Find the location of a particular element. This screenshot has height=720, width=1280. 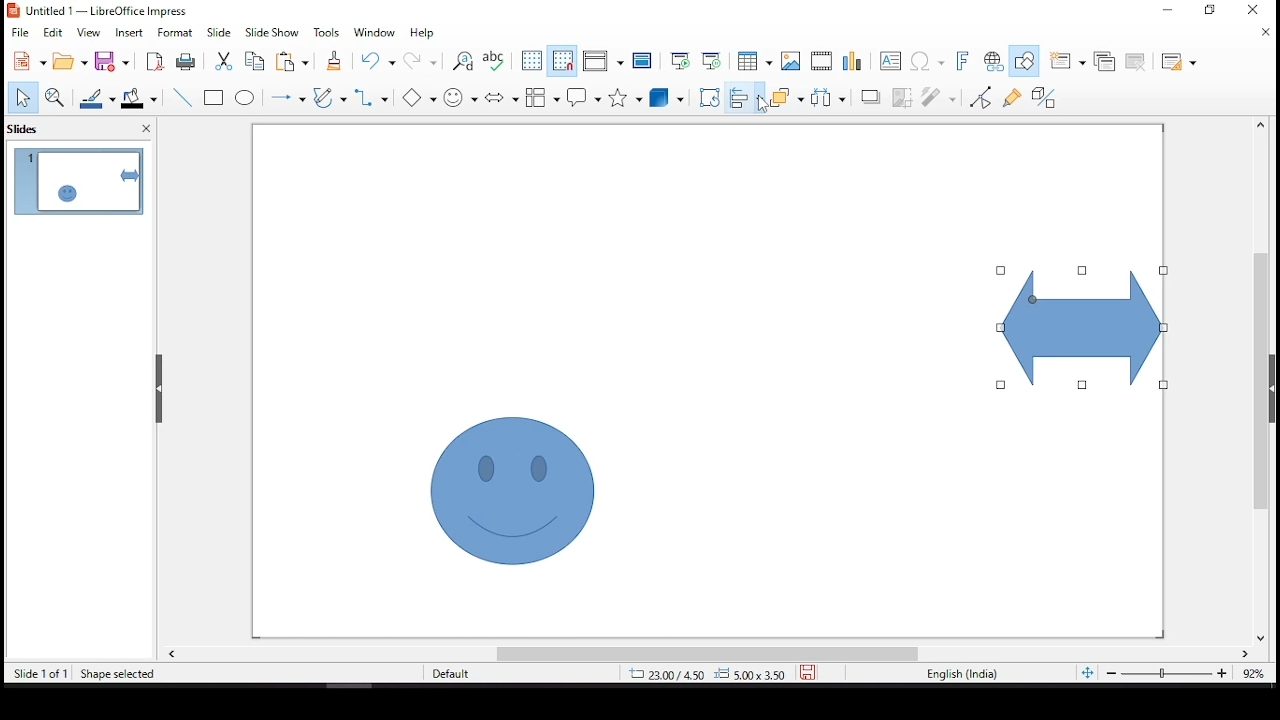

zoom slider is located at coordinates (1165, 675).